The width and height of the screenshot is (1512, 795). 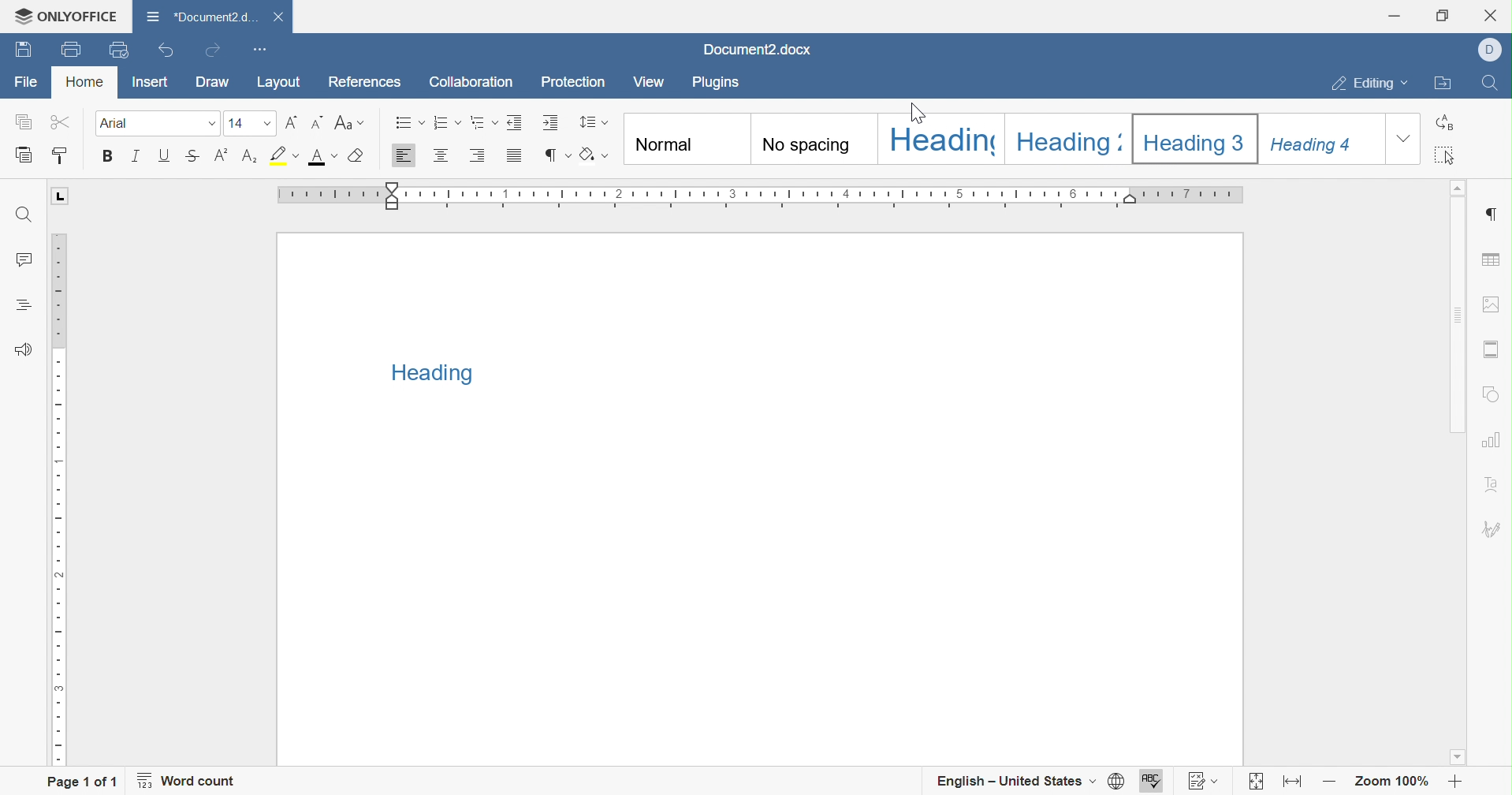 What do you see at coordinates (68, 50) in the screenshot?
I see `Save` at bounding box center [68, 50].